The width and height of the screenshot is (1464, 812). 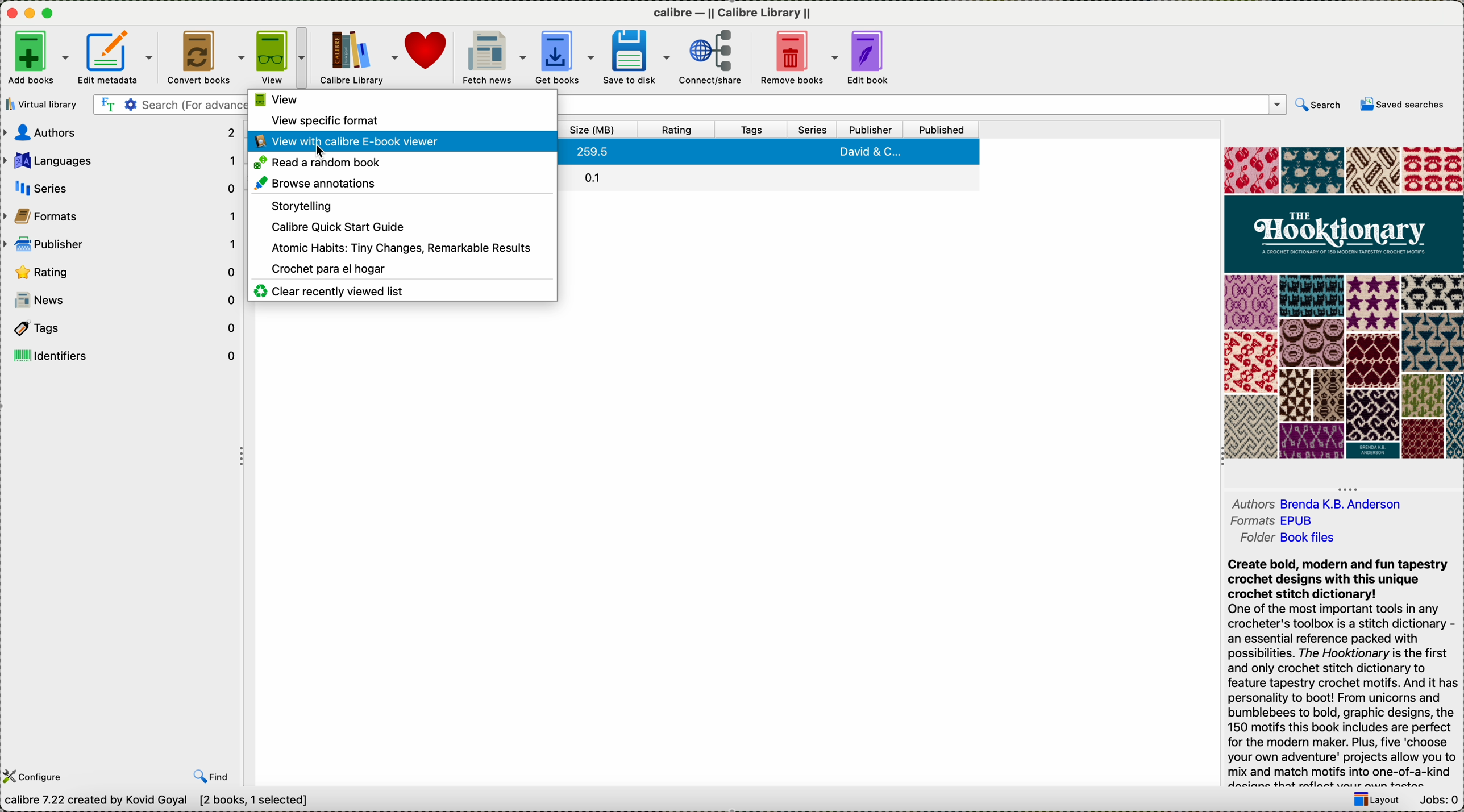 I want to click on minimize program, so click(x=32, y=14).